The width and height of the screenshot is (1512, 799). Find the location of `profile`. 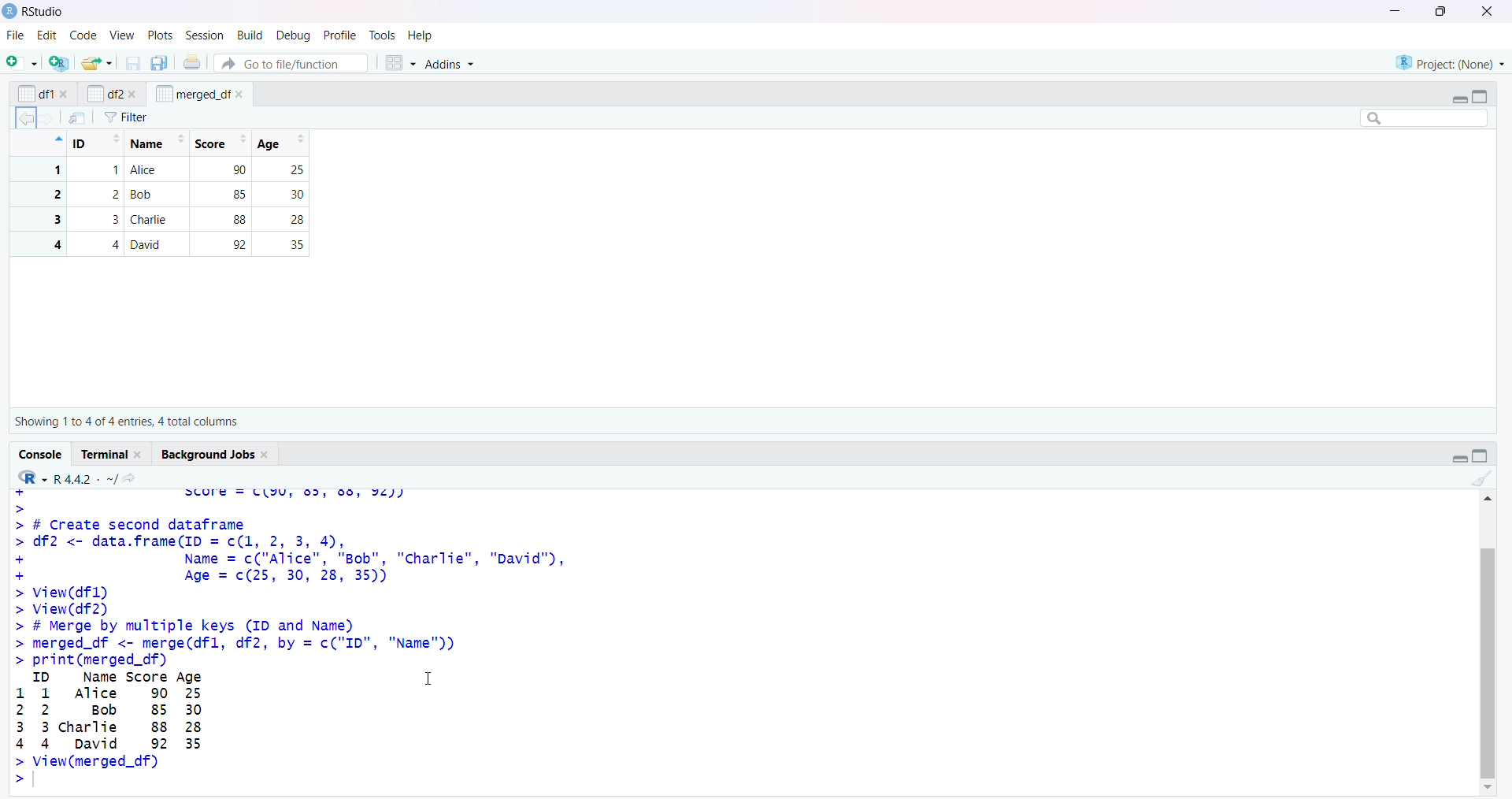

profile is located at coordinates (339, 35).